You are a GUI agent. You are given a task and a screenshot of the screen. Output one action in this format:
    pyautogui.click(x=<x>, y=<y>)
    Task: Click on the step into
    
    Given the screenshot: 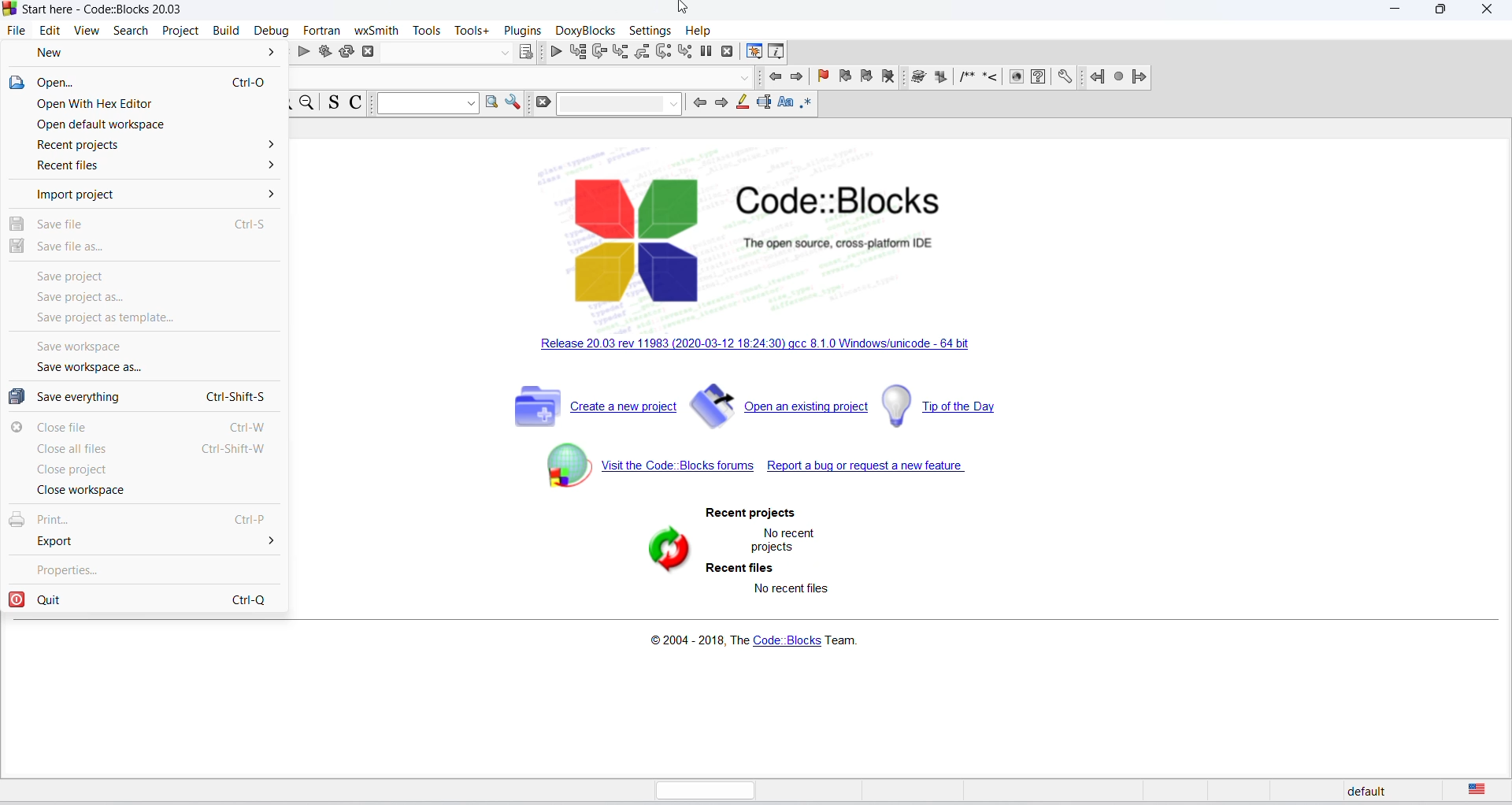 What is the action you would take?
    pyautogui.click(x=617, y=53)
    